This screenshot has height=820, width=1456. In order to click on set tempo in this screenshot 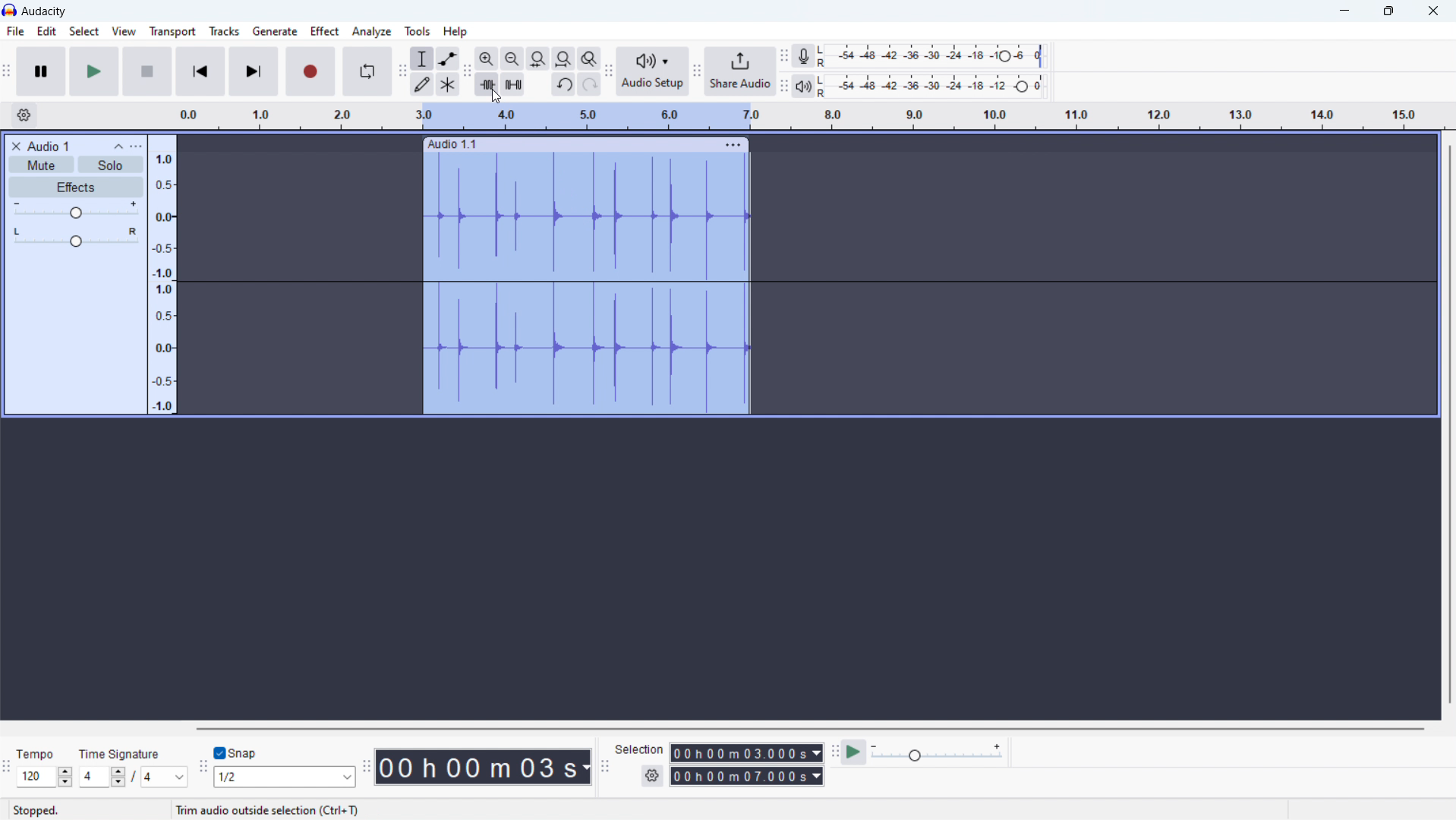, I will do `click(45, 777)`.